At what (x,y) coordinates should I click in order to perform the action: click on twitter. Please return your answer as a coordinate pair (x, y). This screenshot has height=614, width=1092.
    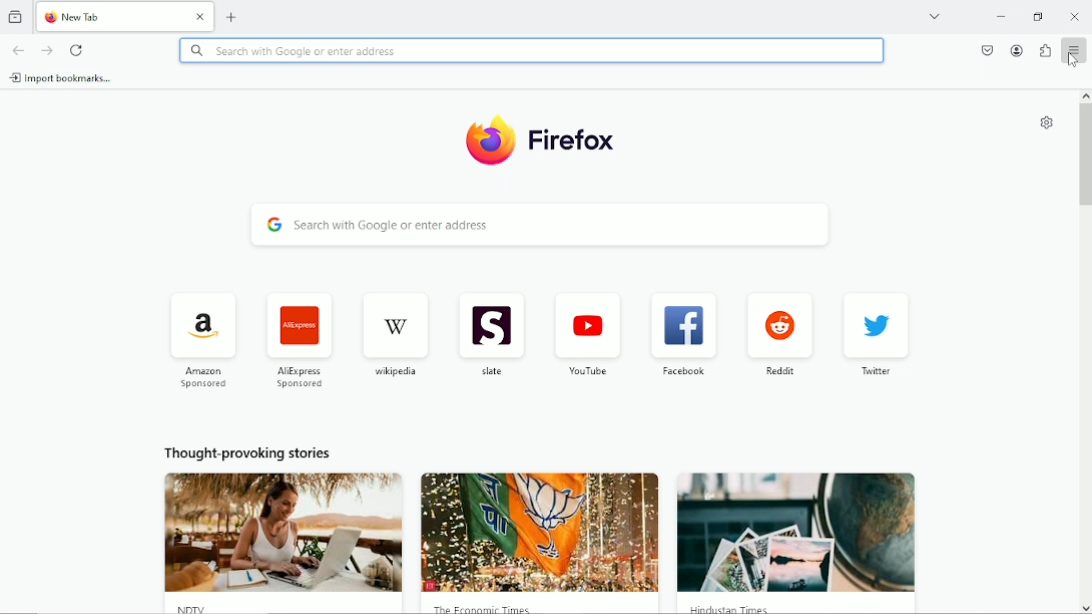
    Looking at the image, I should click on (873, 373).